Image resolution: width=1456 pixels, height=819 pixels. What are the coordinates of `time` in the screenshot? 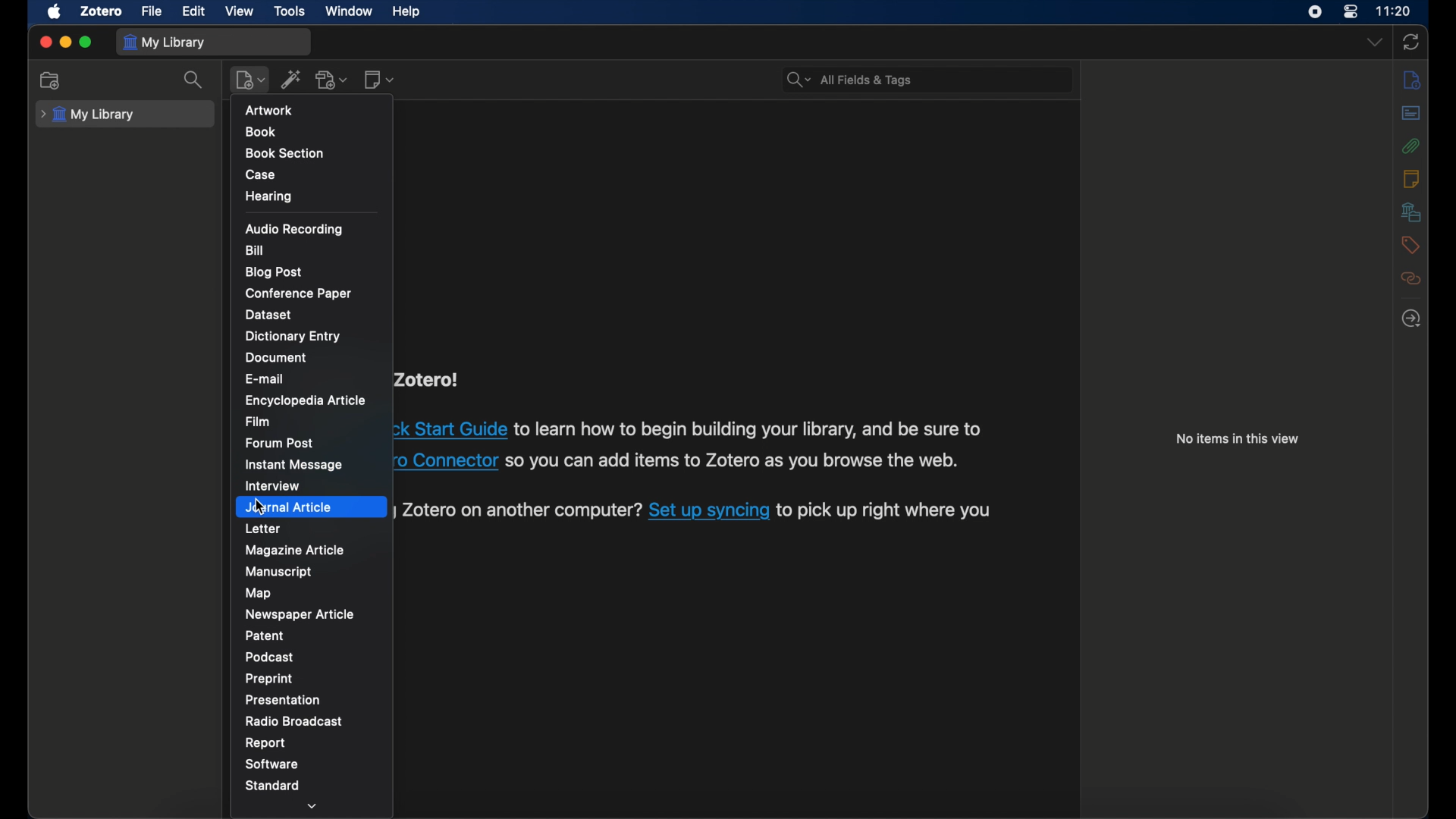 It's located at (1395, 11).